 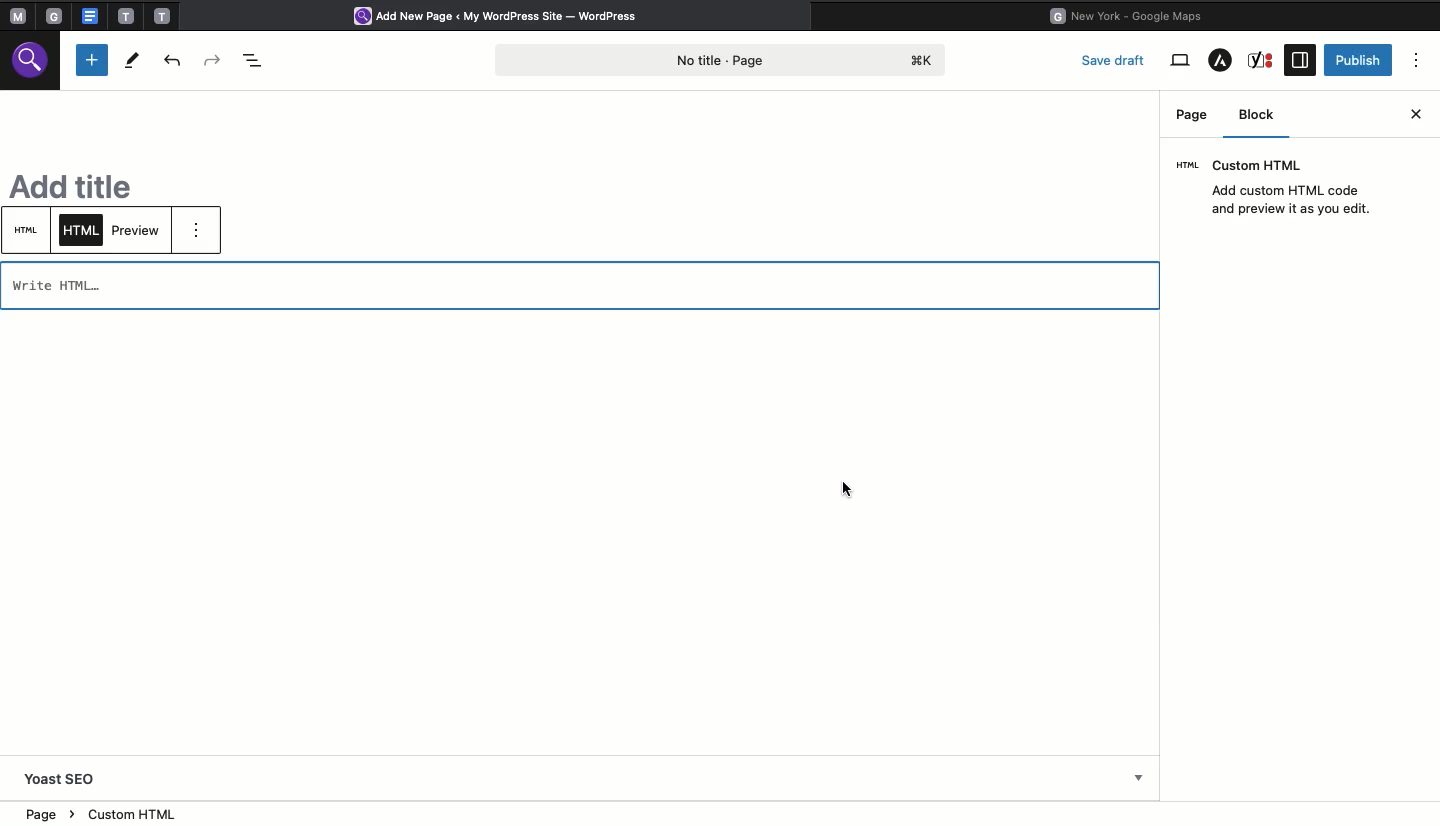 What do you see at coordinates (1133, 14) in the screenshot?
I see `Google maps` at bounding box center [1133, 14].